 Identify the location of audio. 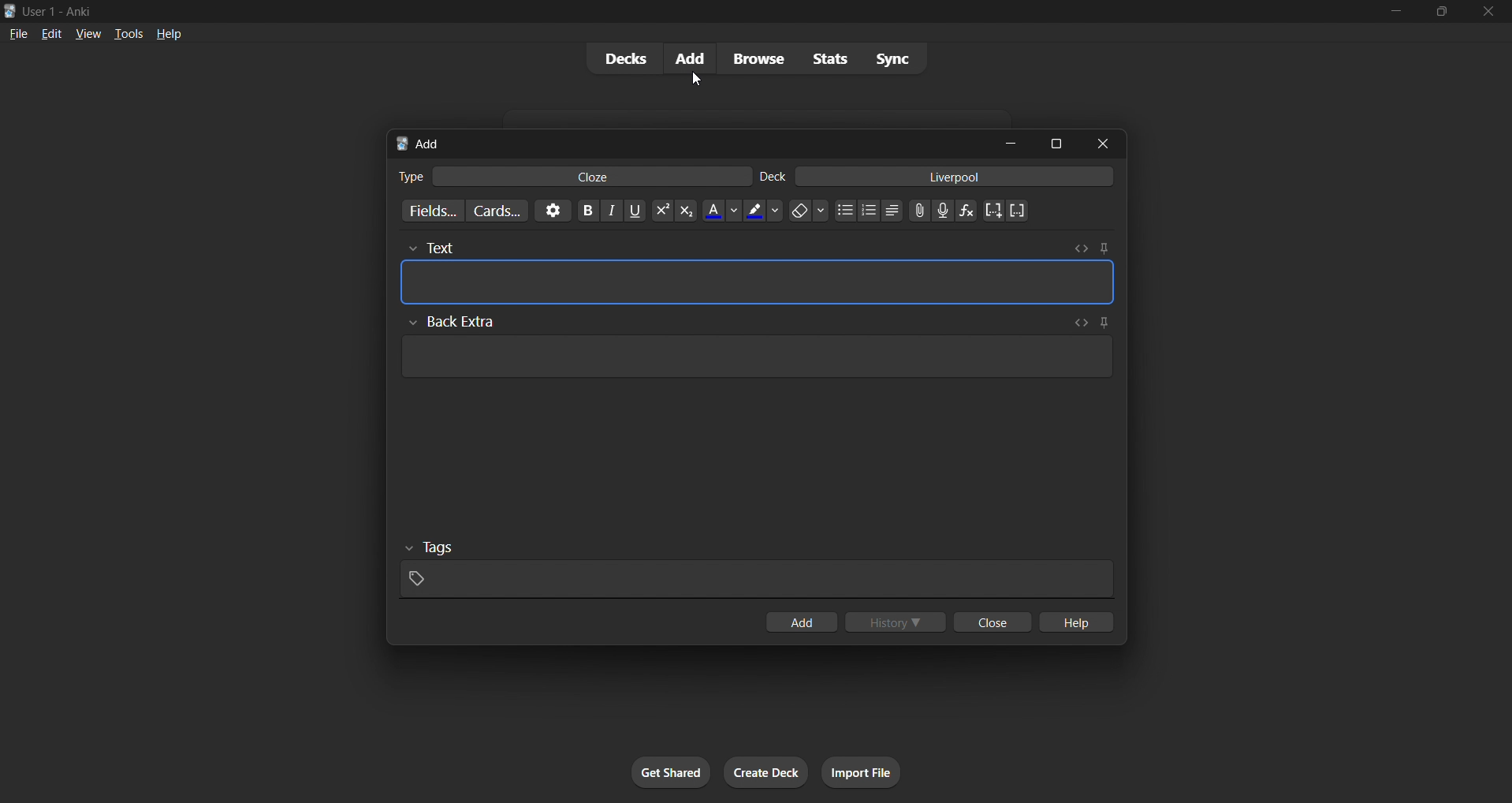
(943, 211).